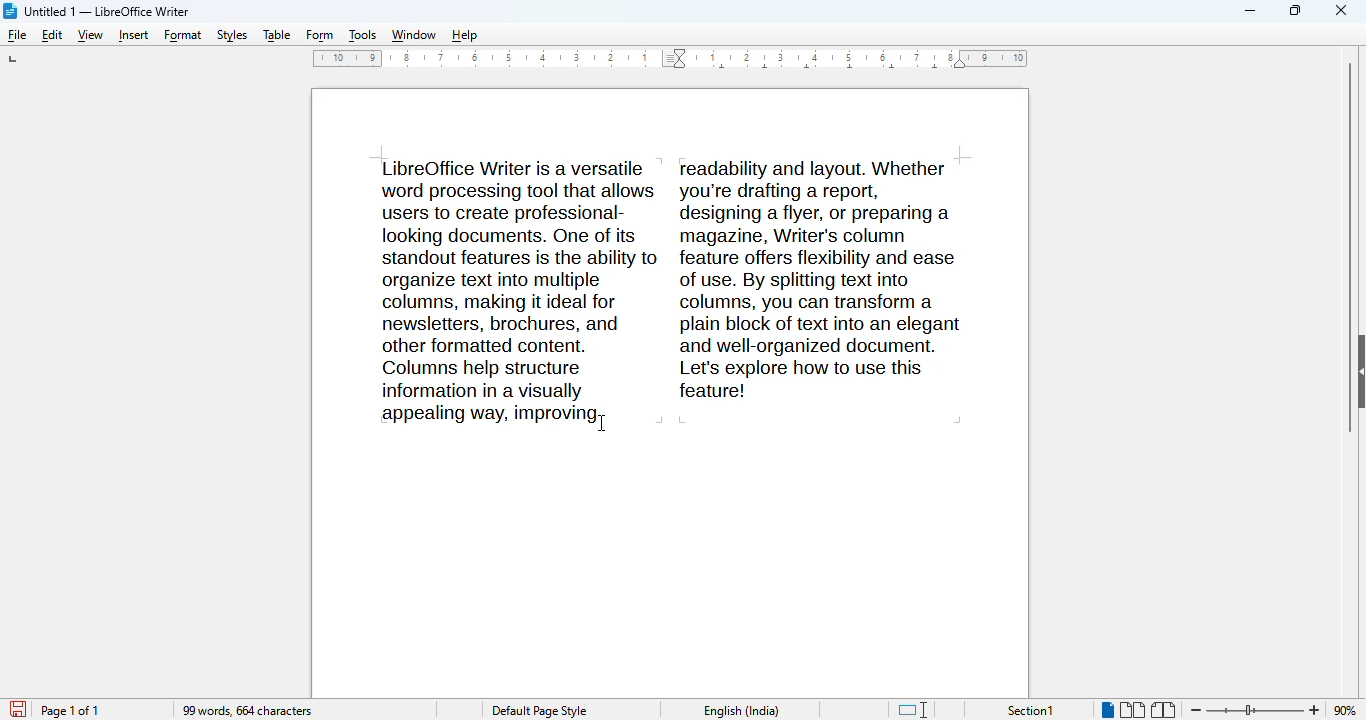  I want to click on title, so click(106, 11).